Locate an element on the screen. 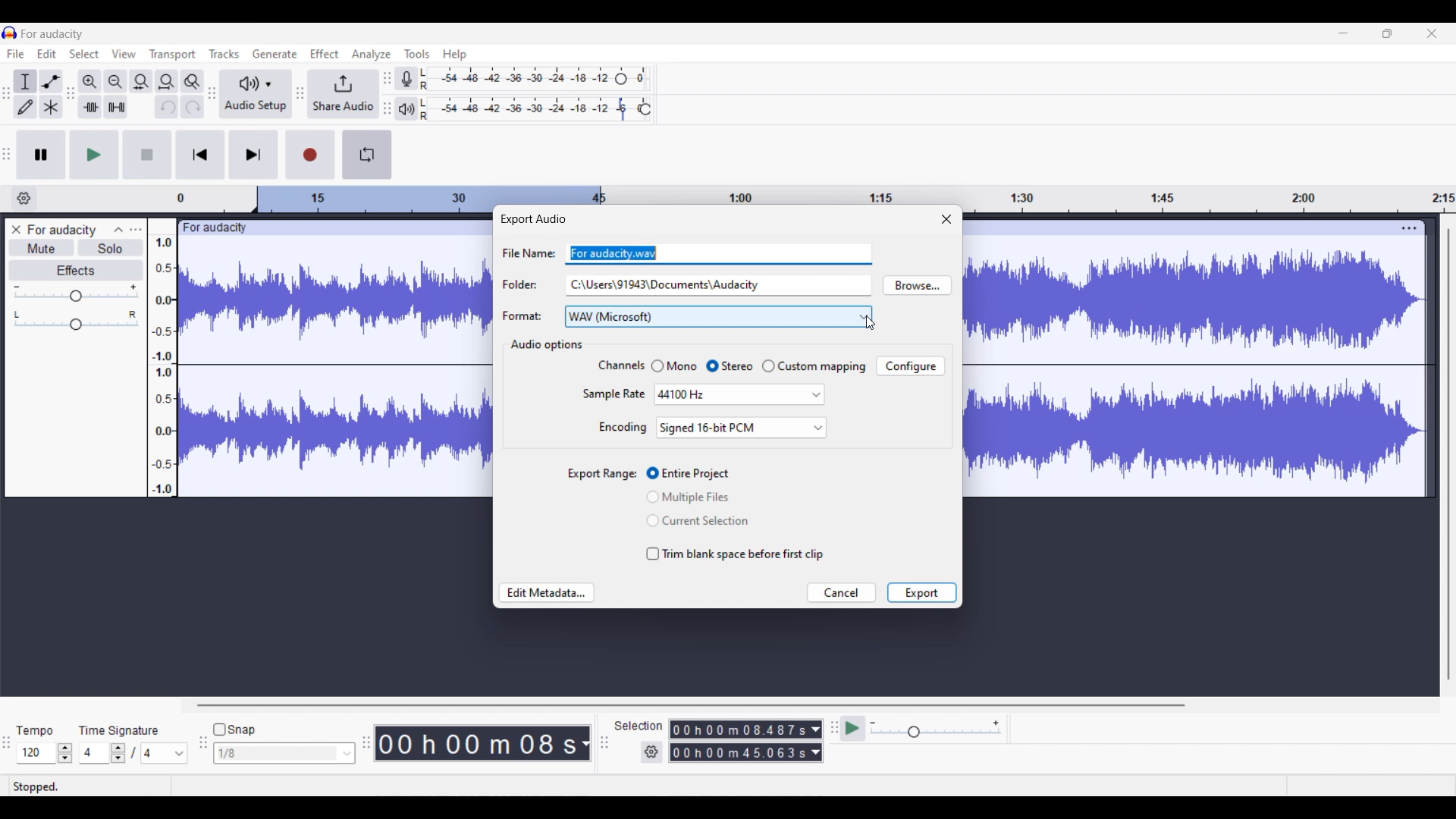 Image resolution: width=1456 pixels, height=819 pixels. Tools menu is located at coordinates (417, 54).